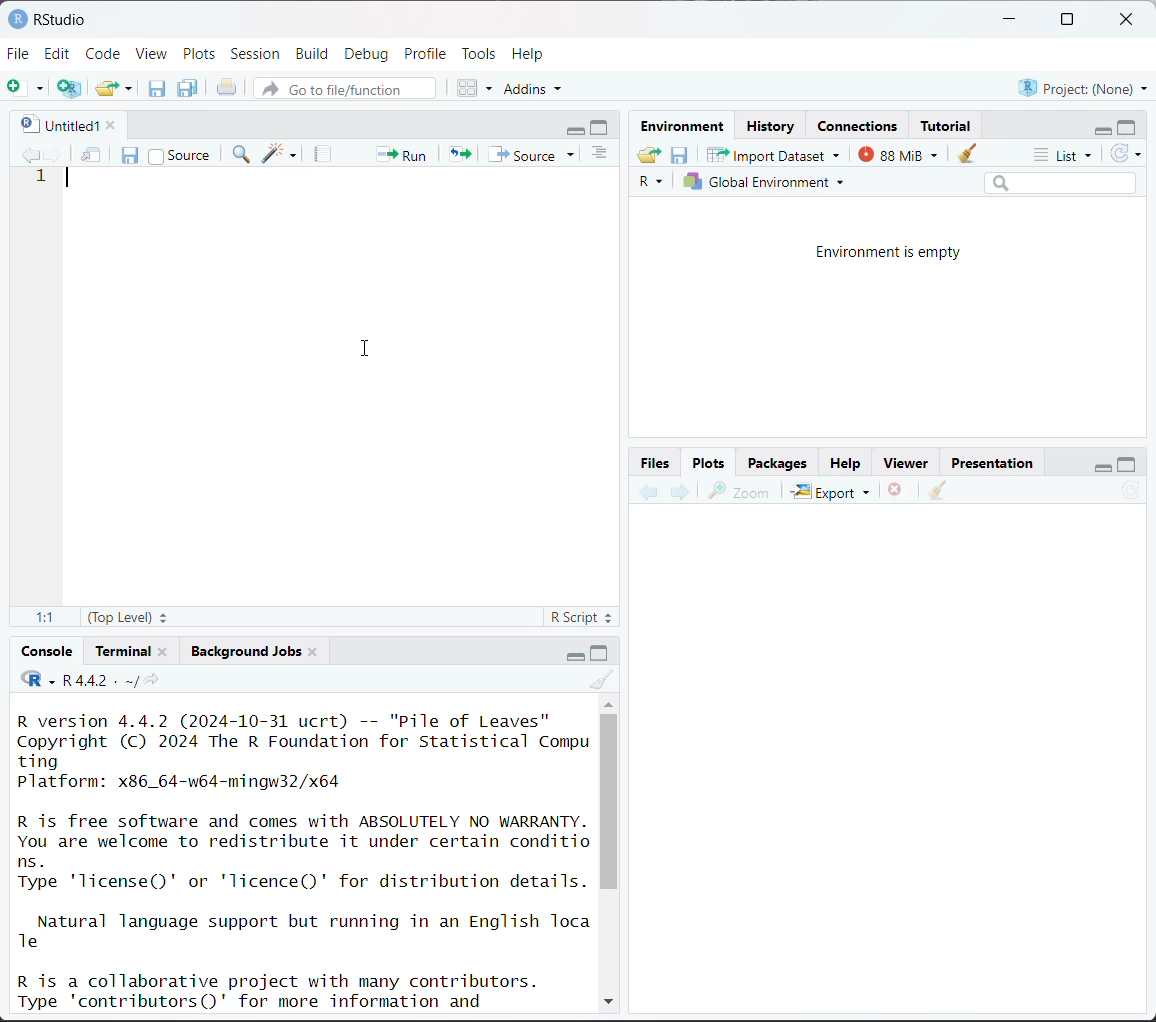  What do you see at coordinates (111, 123) in the screenshot?
I see `close` at bounding box center [111, 123].